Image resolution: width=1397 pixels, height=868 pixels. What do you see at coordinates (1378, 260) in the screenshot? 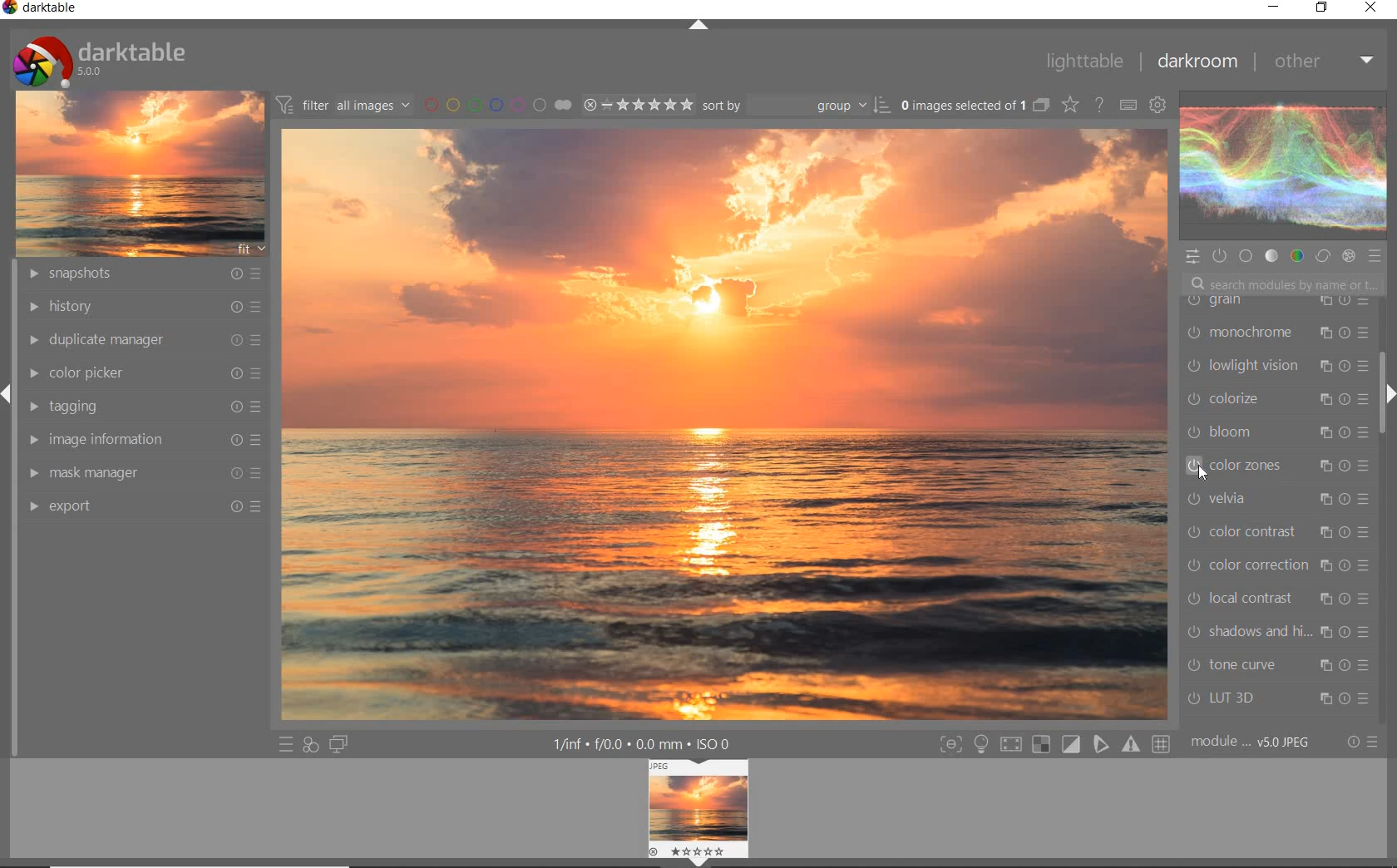
I see `PRESET` at bounding box center [1378, 260].